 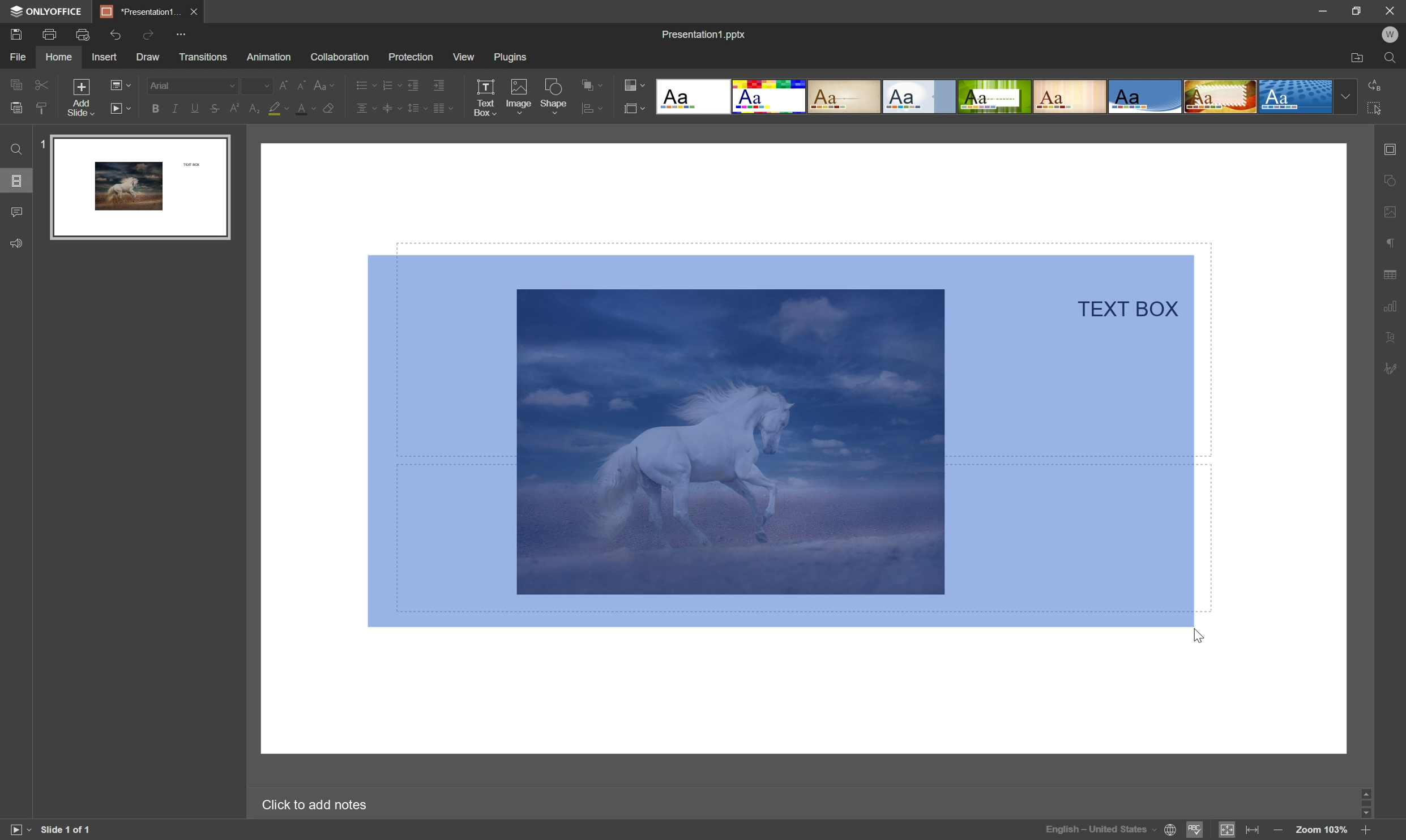 What do you see at coordinates (301, 84) in the screenshot?
I see `decrement font size` at bounding box center [301, 84].